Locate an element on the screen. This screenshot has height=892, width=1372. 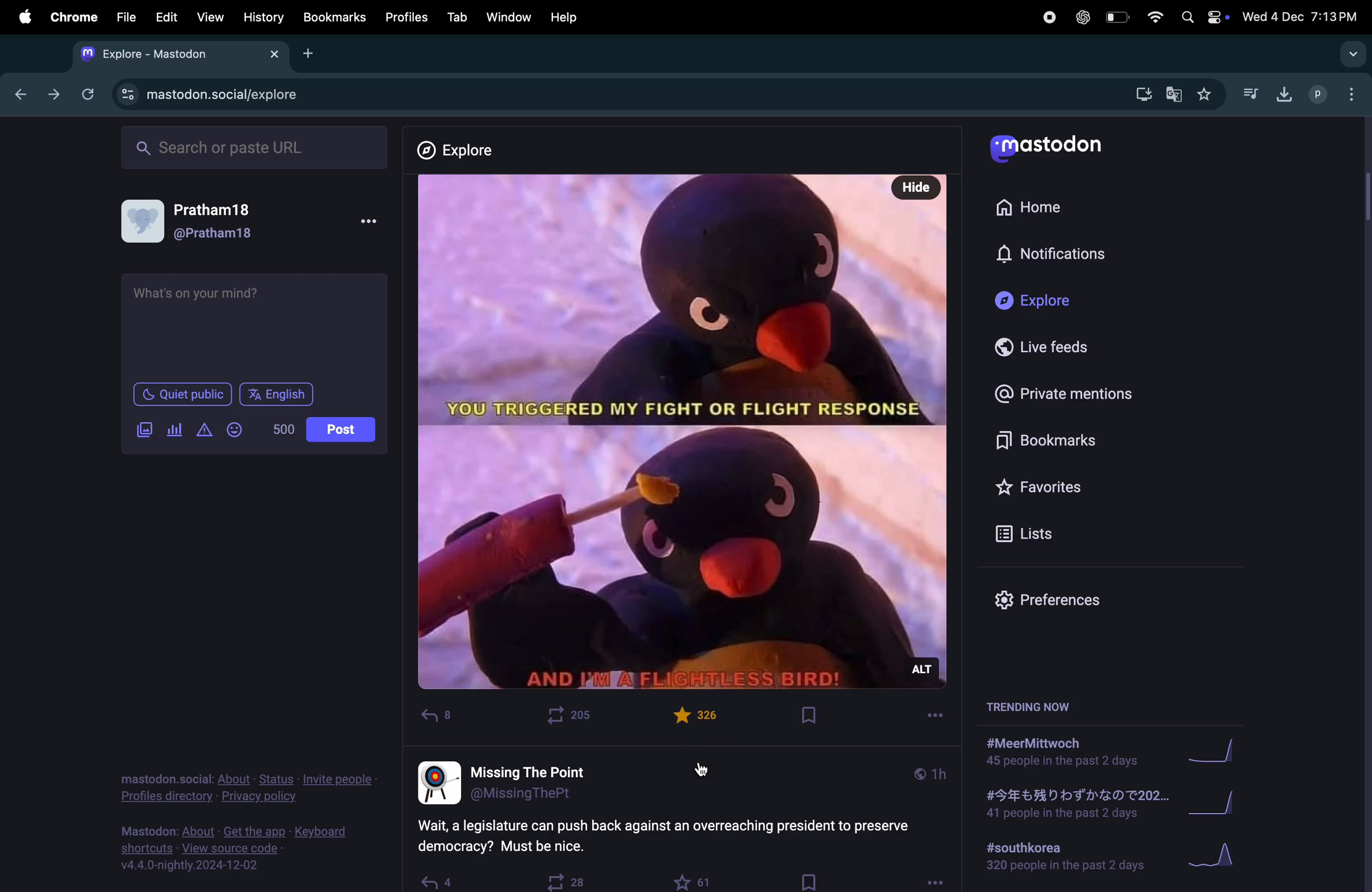
boost is located at coordinates (571, 879).